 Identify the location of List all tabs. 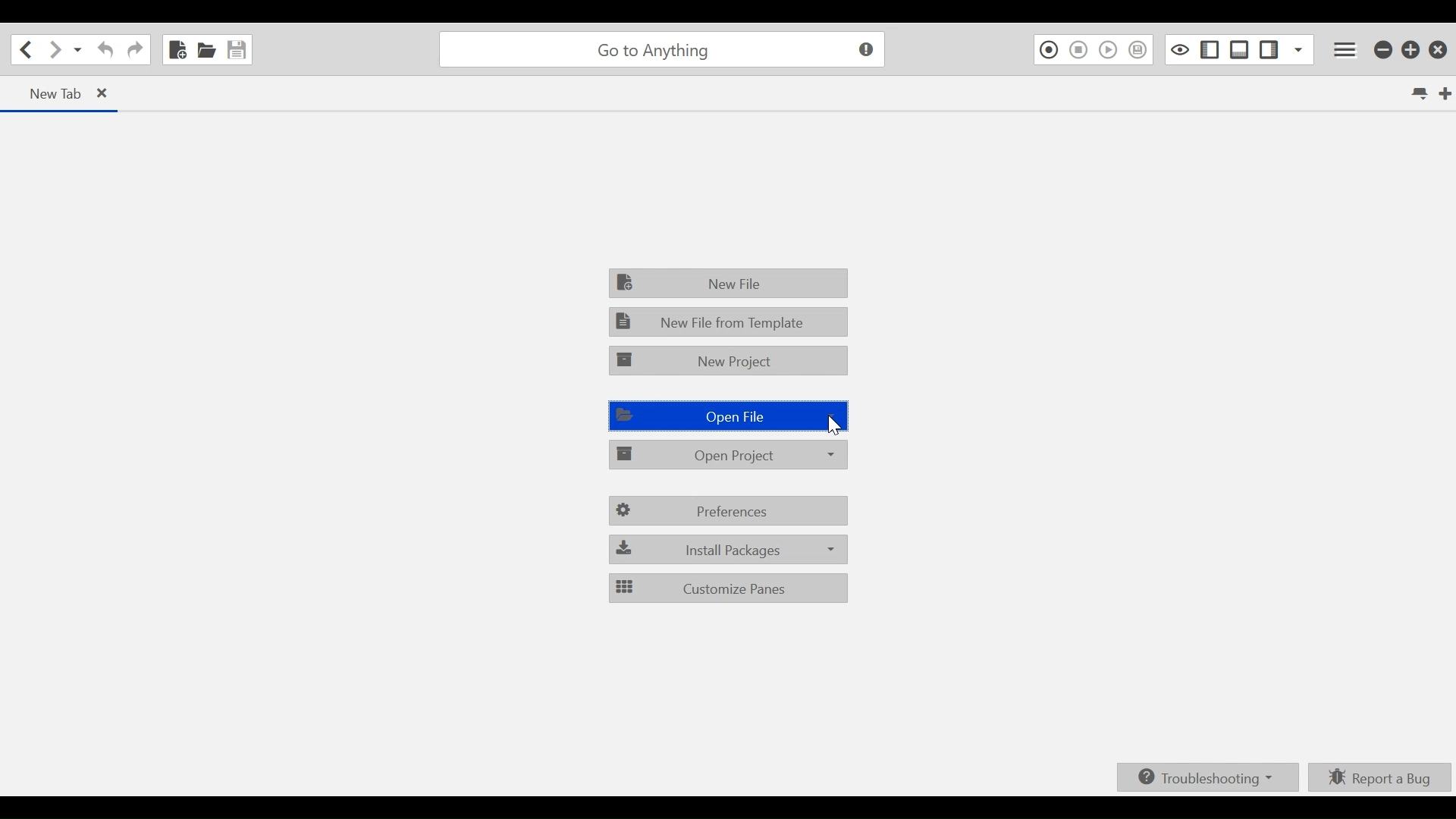
(1418, 93).